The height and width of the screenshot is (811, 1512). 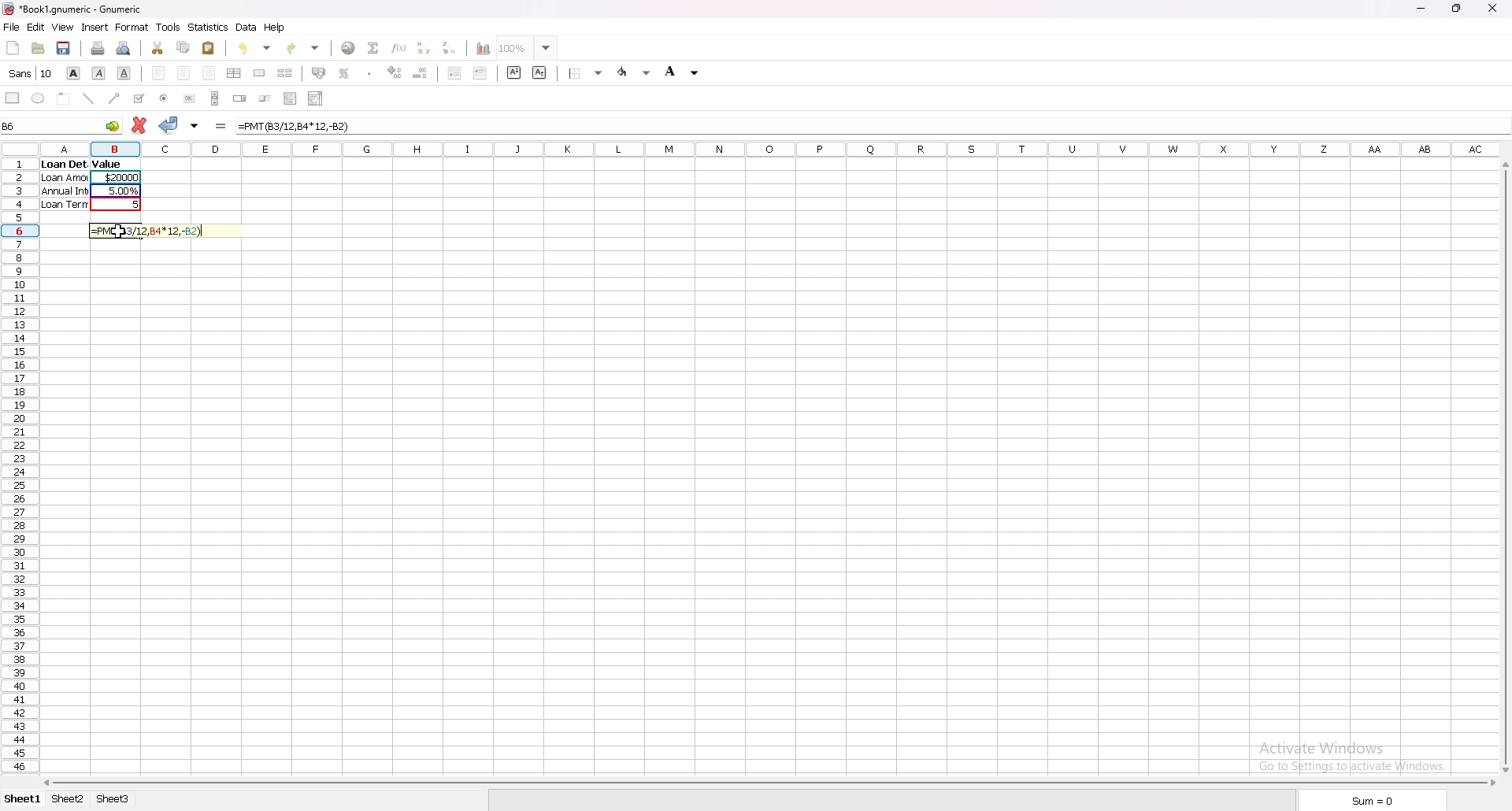 What do you see at coordinates (247, 28) in the screenshot?
I see `data` at bounding box center [247, 28].